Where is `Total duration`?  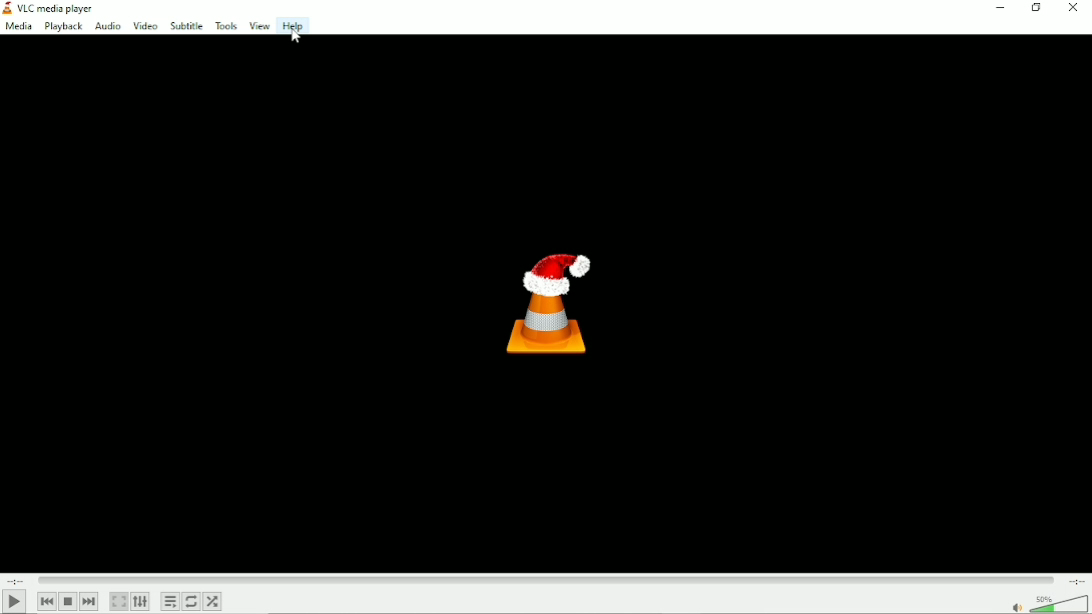
Total duration is located at coordinates (1078, 581).